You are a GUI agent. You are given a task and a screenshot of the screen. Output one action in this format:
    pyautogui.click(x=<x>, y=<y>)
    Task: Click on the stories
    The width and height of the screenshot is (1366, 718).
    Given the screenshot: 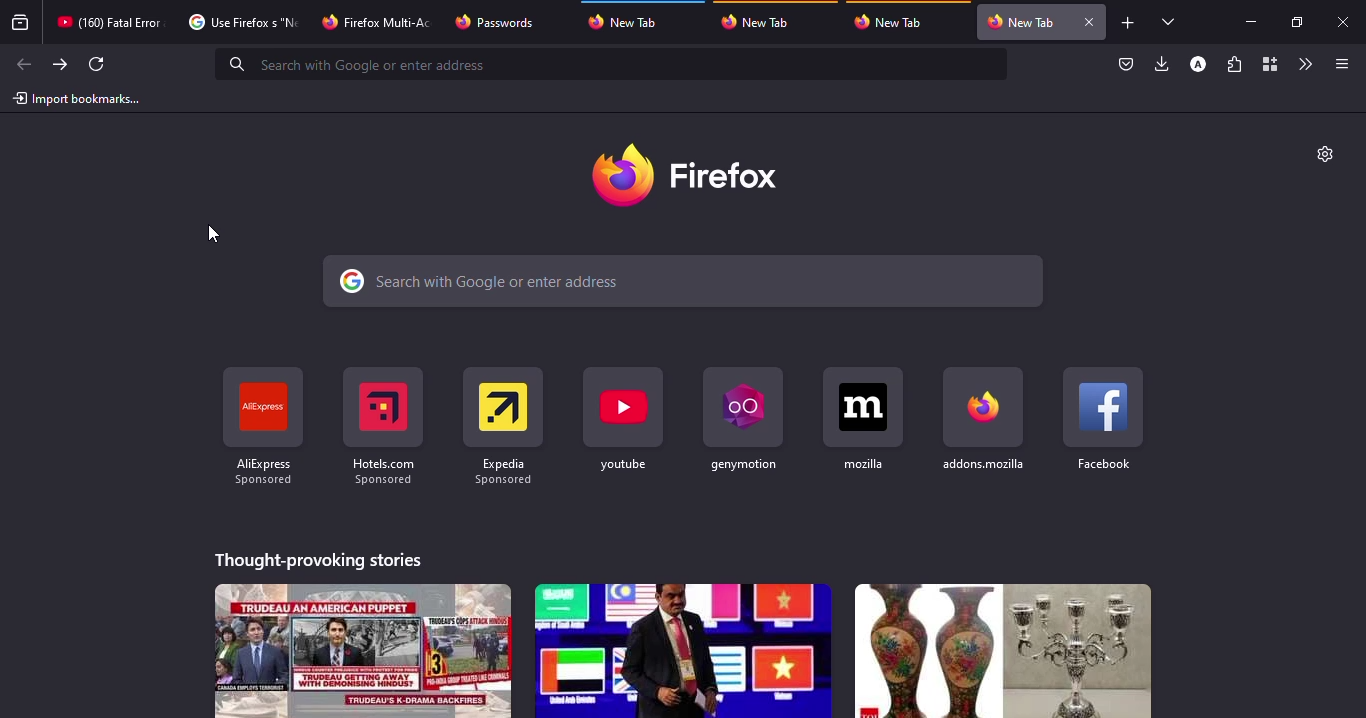 What is the action you would take?
    pyautogui.click(x=364, y=650)
    